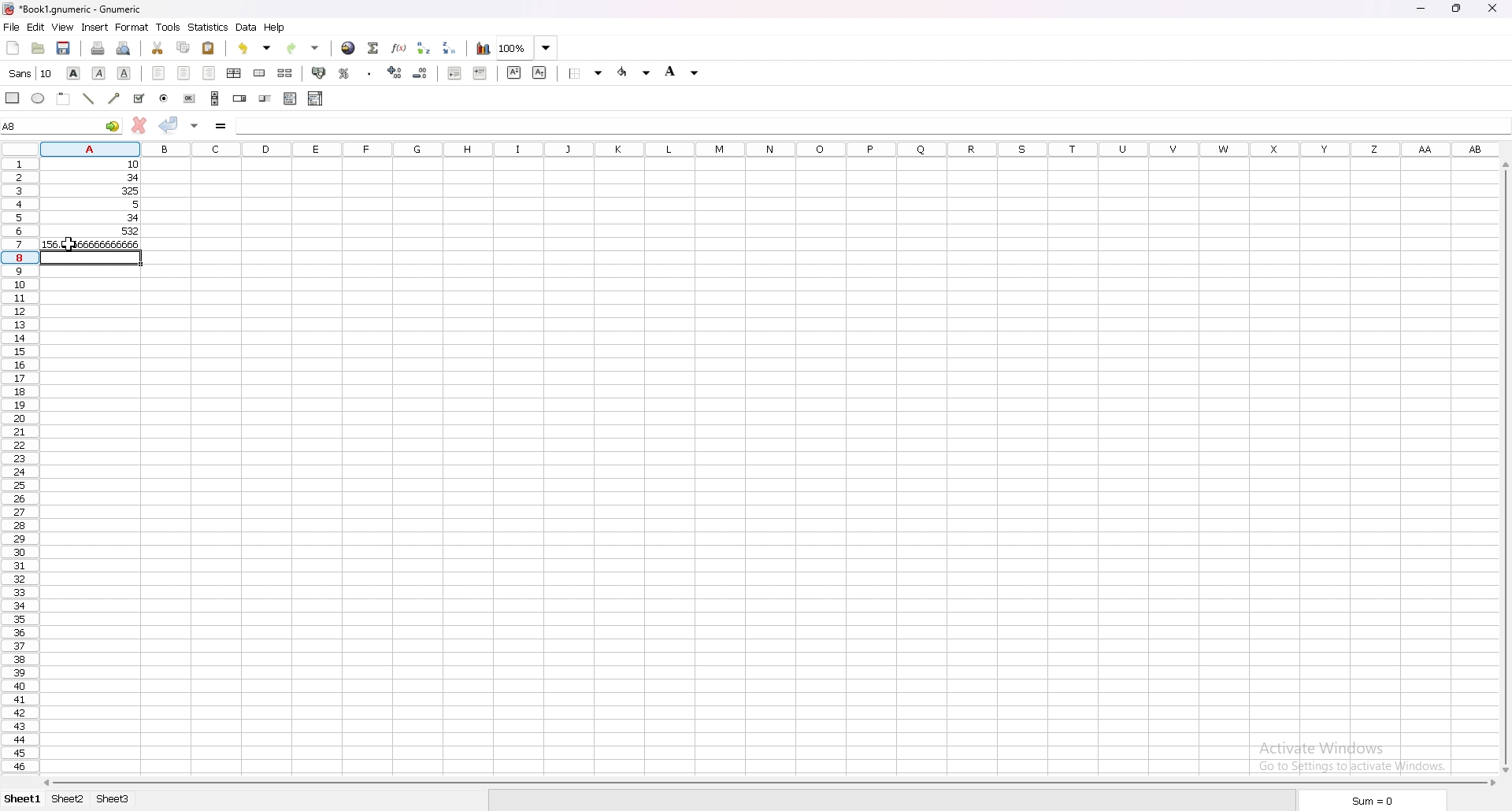  What do you see at coordinates (633, 72) in the screenshot?
I see `foreground` at bounding box center [633, 72].